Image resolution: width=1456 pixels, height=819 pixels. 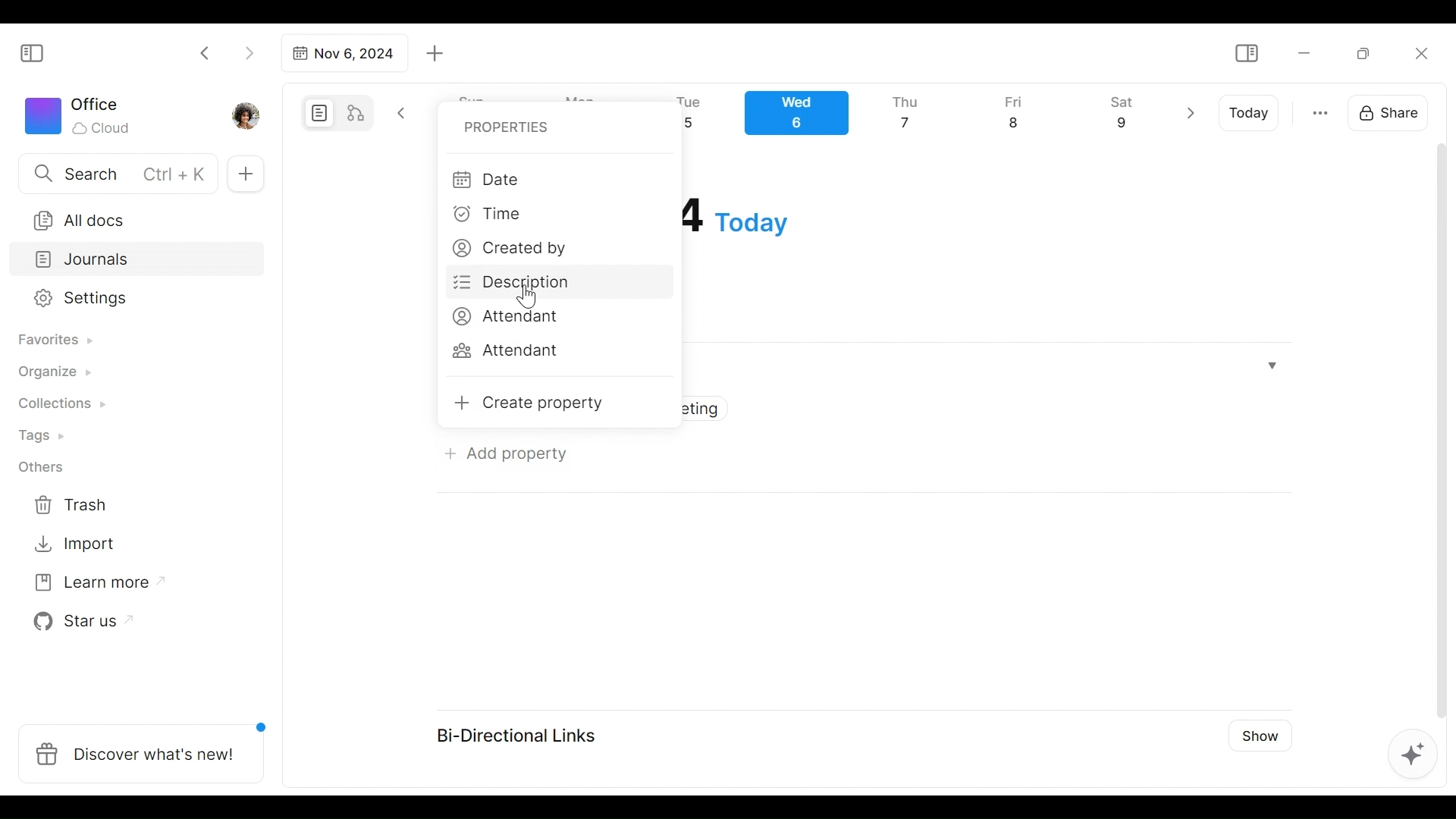 What do you see at coordinates (503, 315) in the screenshot?
I see `Attendant` at bounding box center [503, 315].